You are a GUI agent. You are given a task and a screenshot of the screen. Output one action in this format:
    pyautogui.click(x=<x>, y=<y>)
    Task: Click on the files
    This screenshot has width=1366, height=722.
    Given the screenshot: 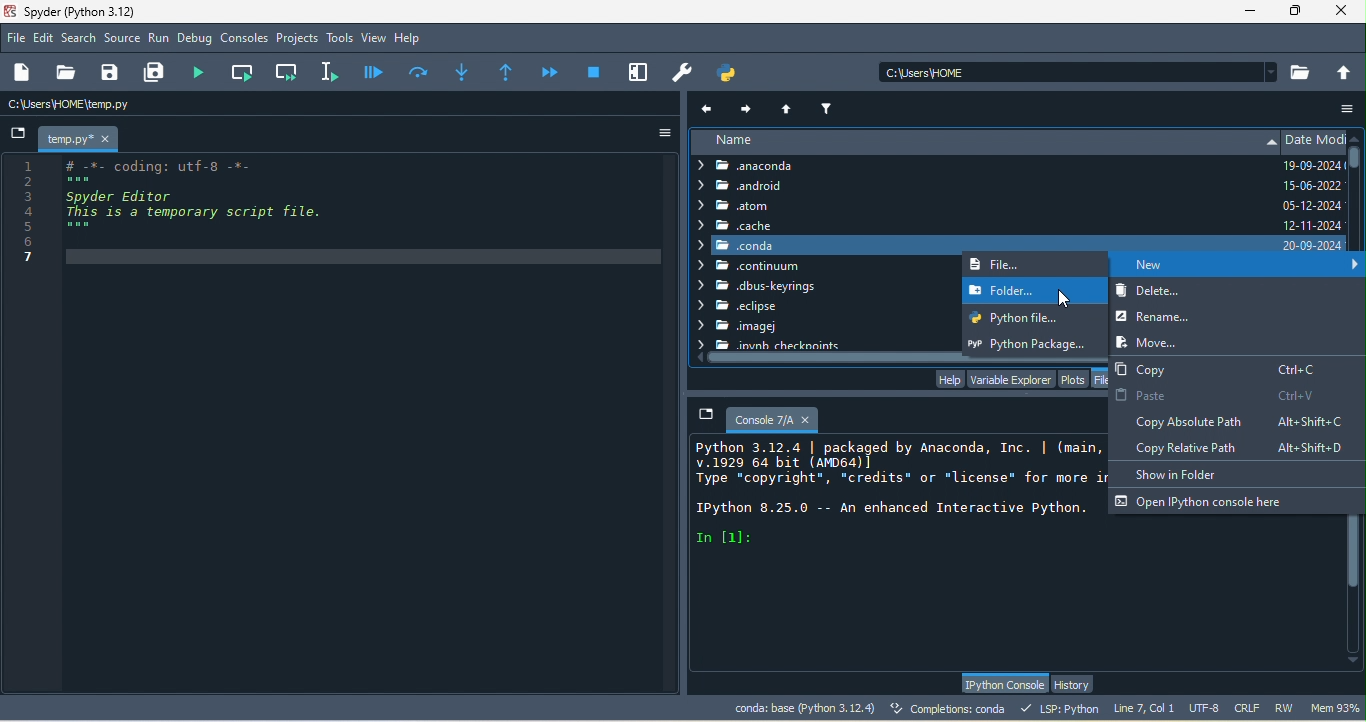 What is the action you would take?
    pyautogui.click(x=1103, y=378)
    